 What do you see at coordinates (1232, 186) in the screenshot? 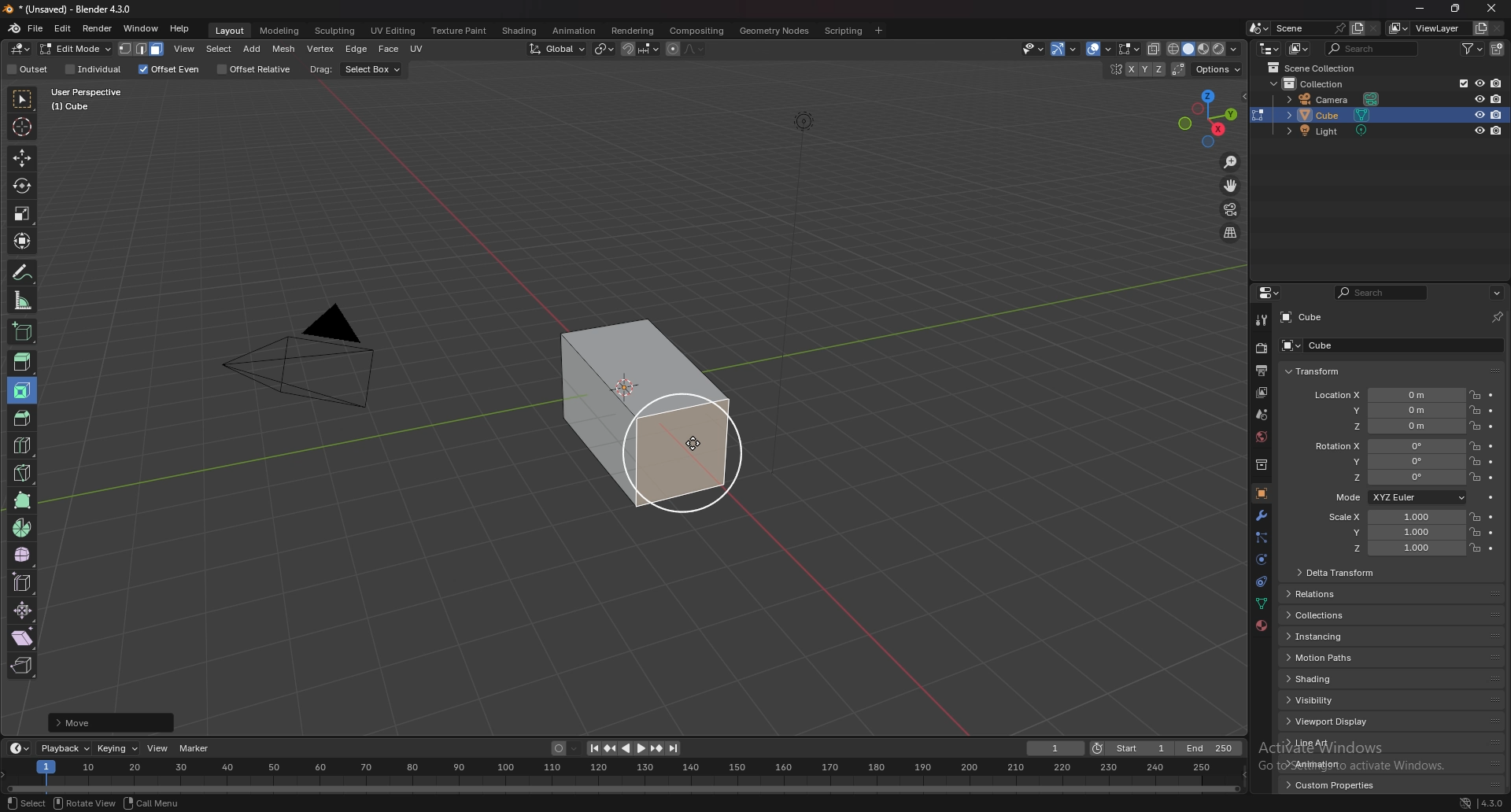
I see `move` at bounding box center [1232, 186].